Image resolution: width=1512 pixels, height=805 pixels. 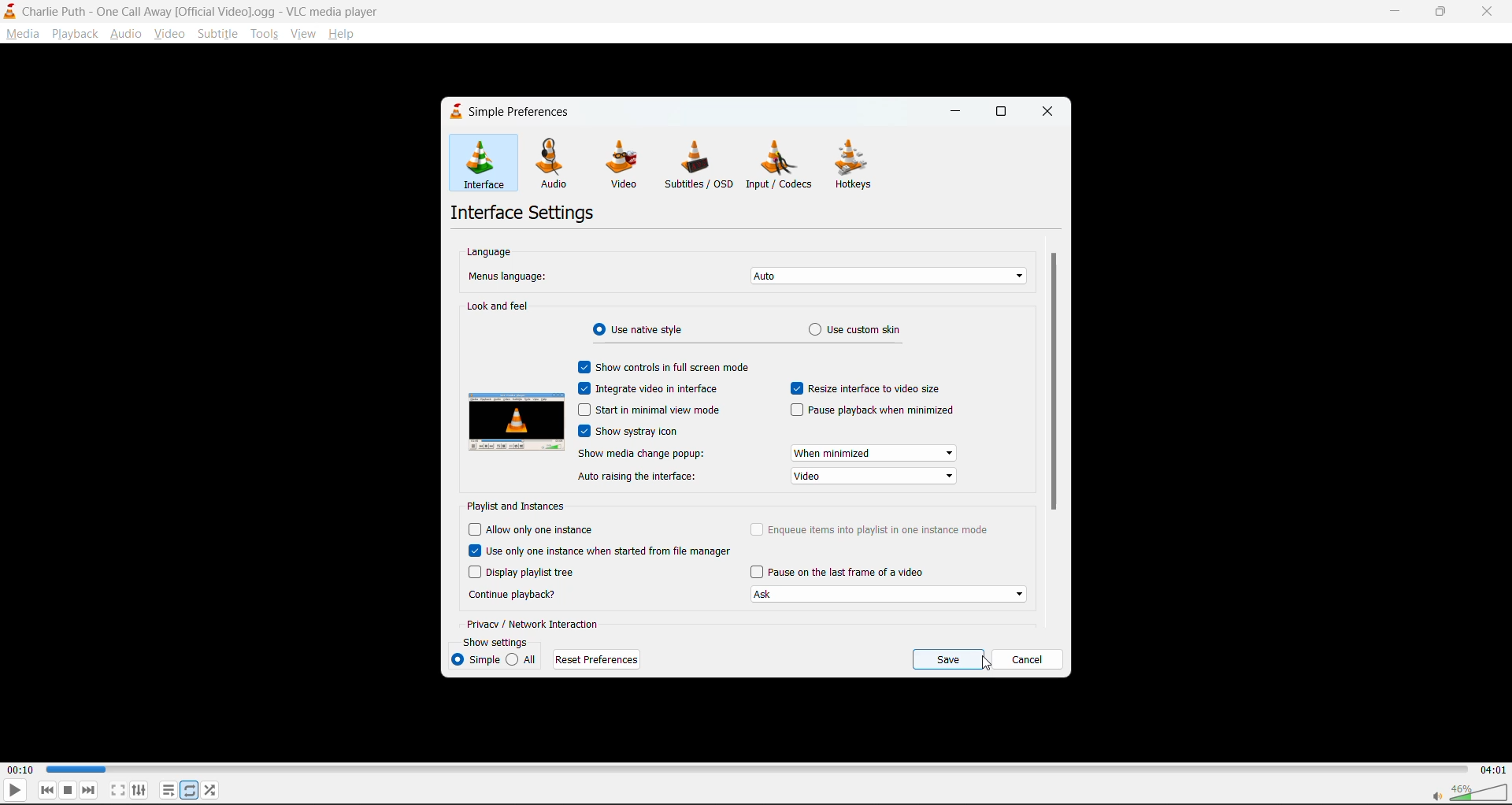 What do you see at coordinates (198, 11) in the screenshot?
I see `Charlie Puth - One Call Away [Official Video].ogg - VLC media player` at bounding box center [198, 11].